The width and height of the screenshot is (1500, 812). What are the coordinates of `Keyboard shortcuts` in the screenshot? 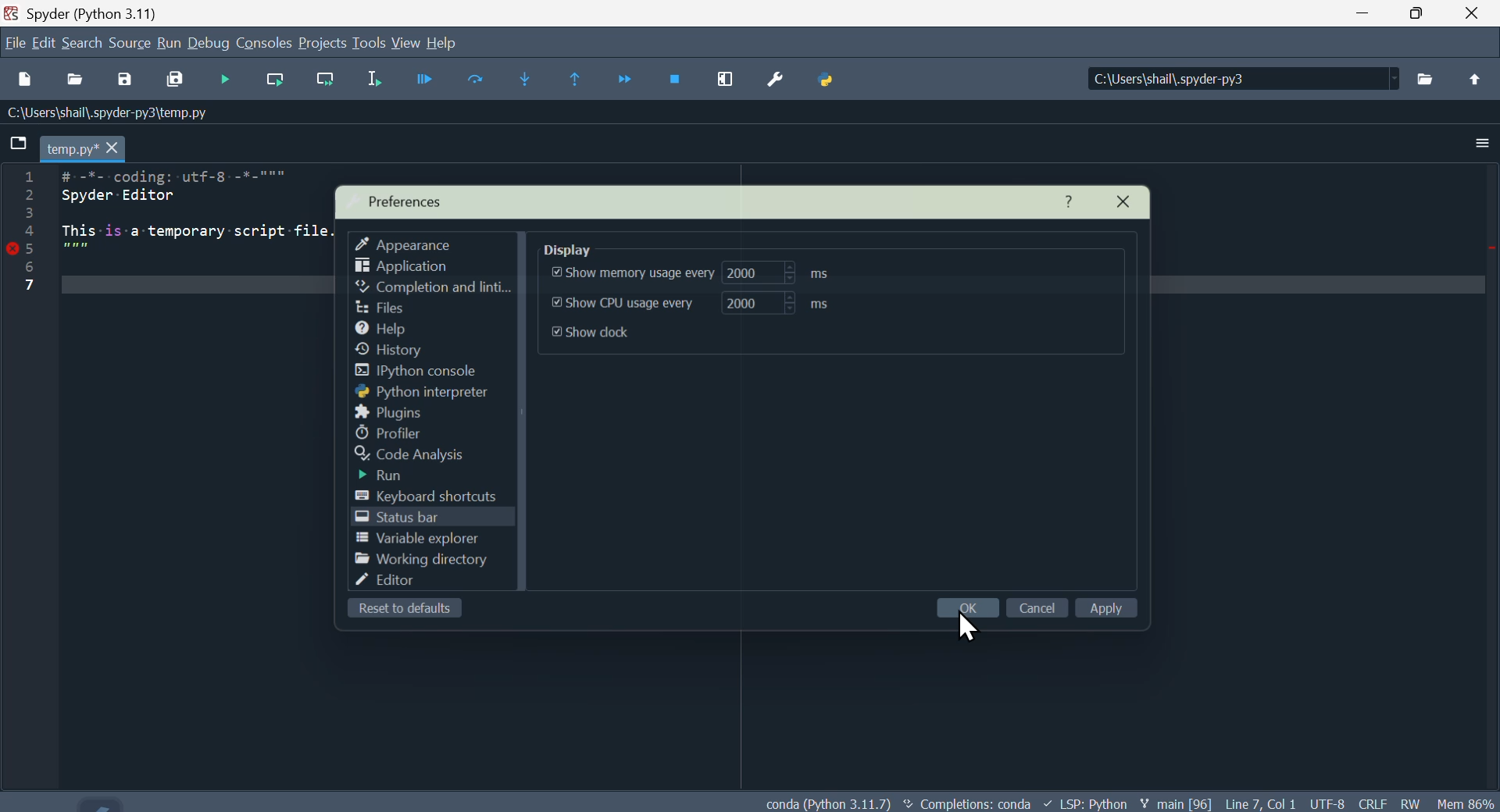 It's located at (435, 496).